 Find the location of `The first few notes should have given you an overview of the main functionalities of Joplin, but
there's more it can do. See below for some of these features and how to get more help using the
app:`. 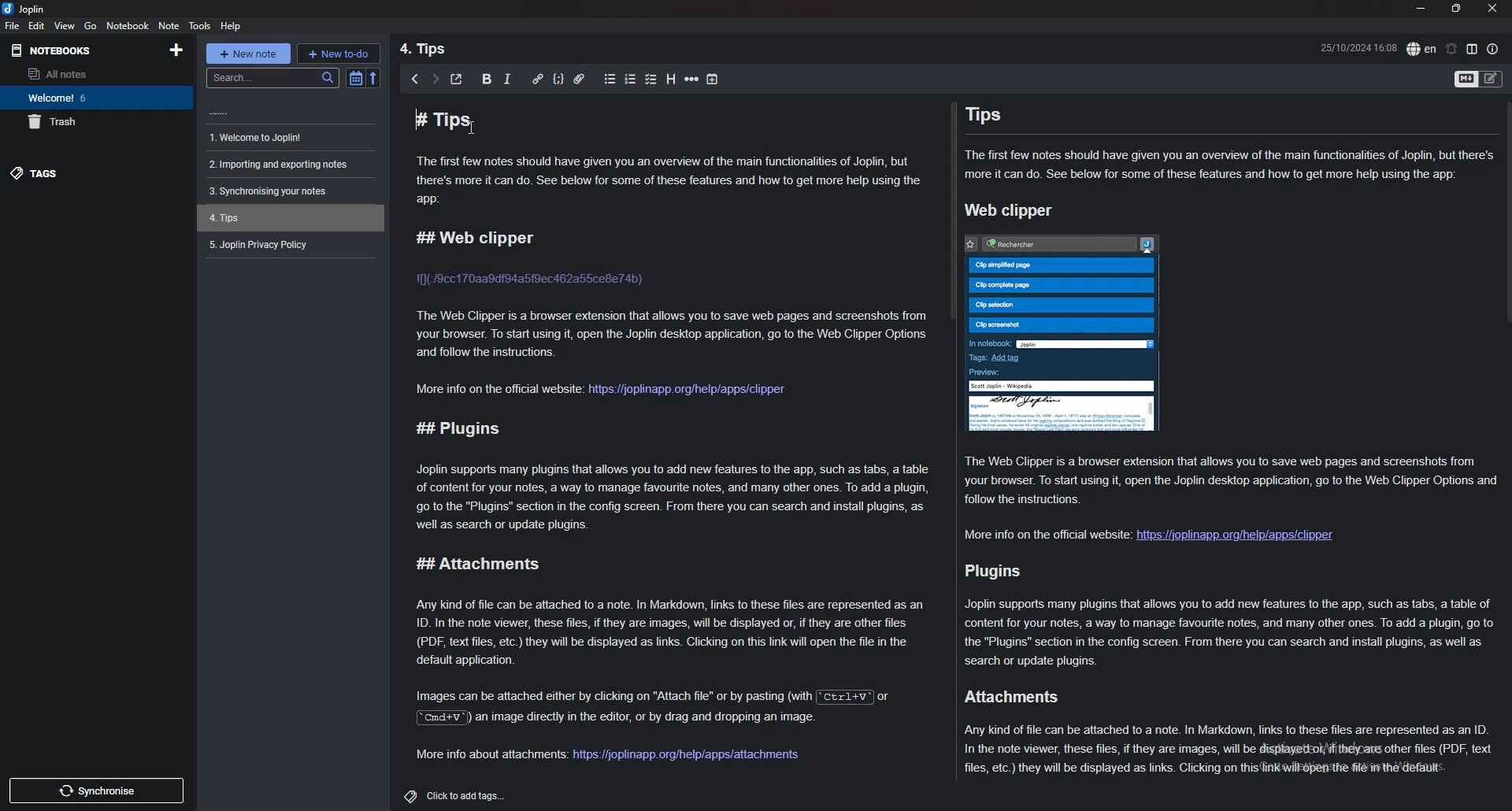

The first few notes should have given you an overview of the main functionalities of Joplin, but
there's more it can do. See below for some of these features and how to get more help using the
app: is located at coordinates (671, 183).